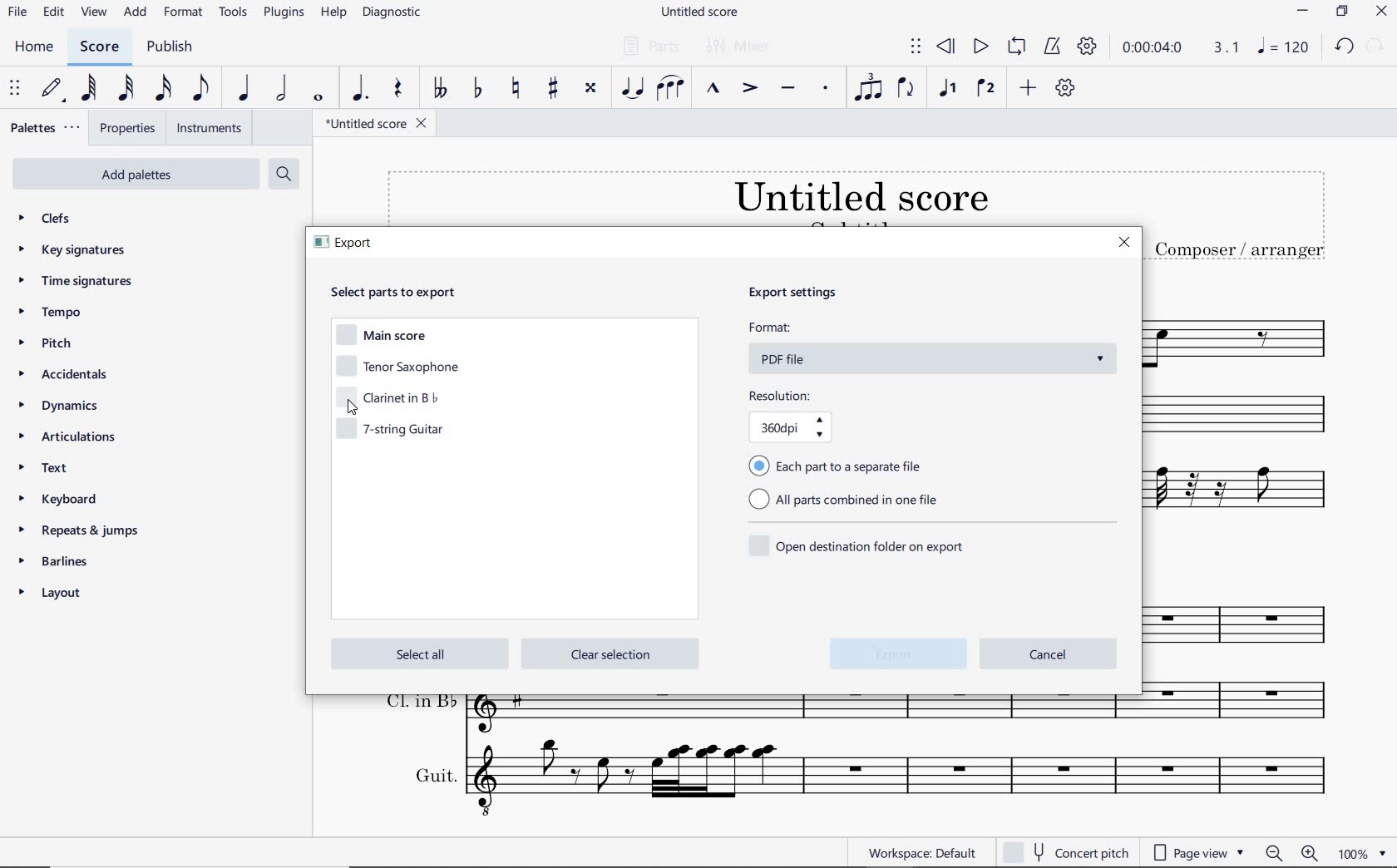 The width and height of the screenshot is (1397, 868). Describe the element at coordinates (417, 653) in the screenshot. I see `select all` at that location.